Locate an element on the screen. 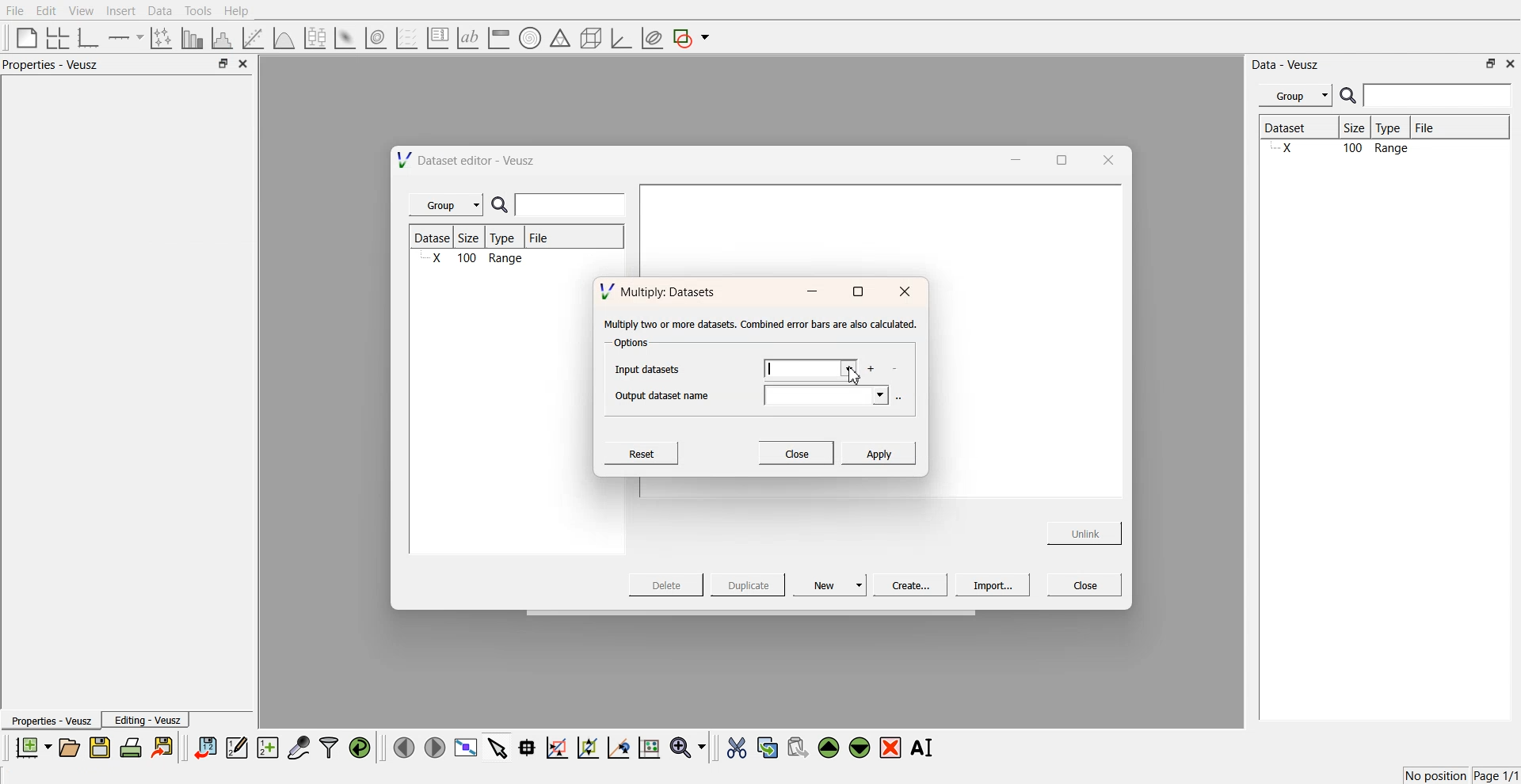  enter search field is located at coordinates (1439, 96).